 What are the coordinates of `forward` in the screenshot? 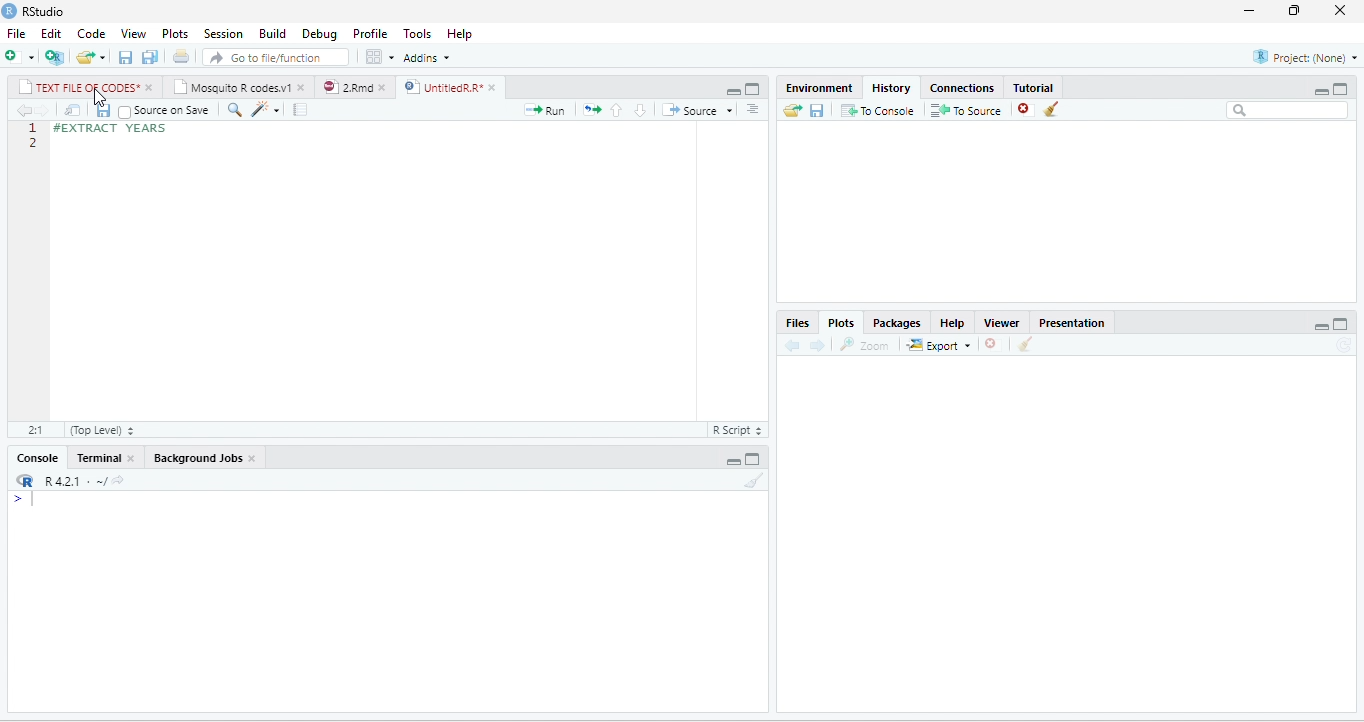 It's located at (43, 110).